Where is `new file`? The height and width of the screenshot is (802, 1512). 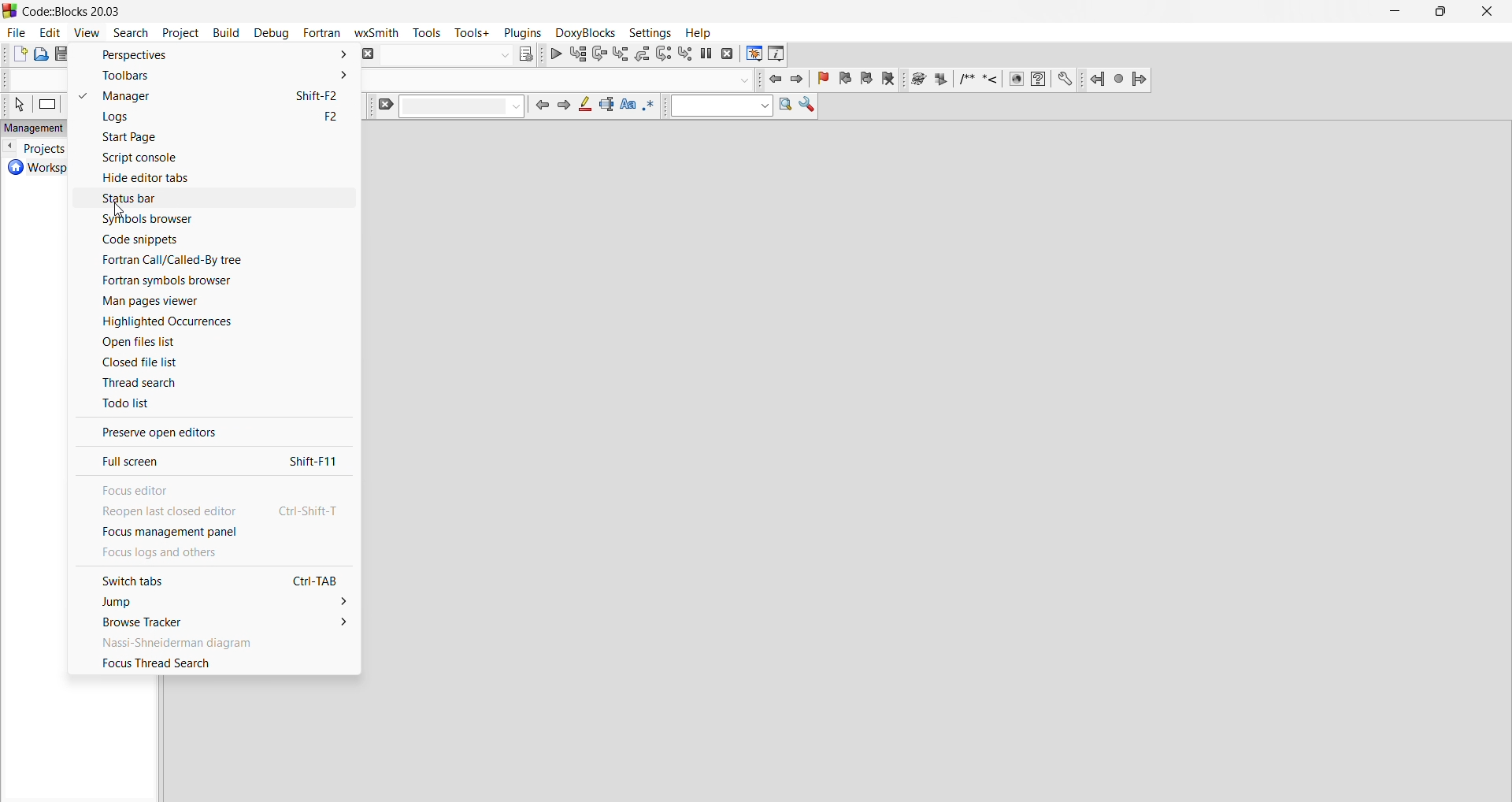 new file is located at coordinates (20, 54).